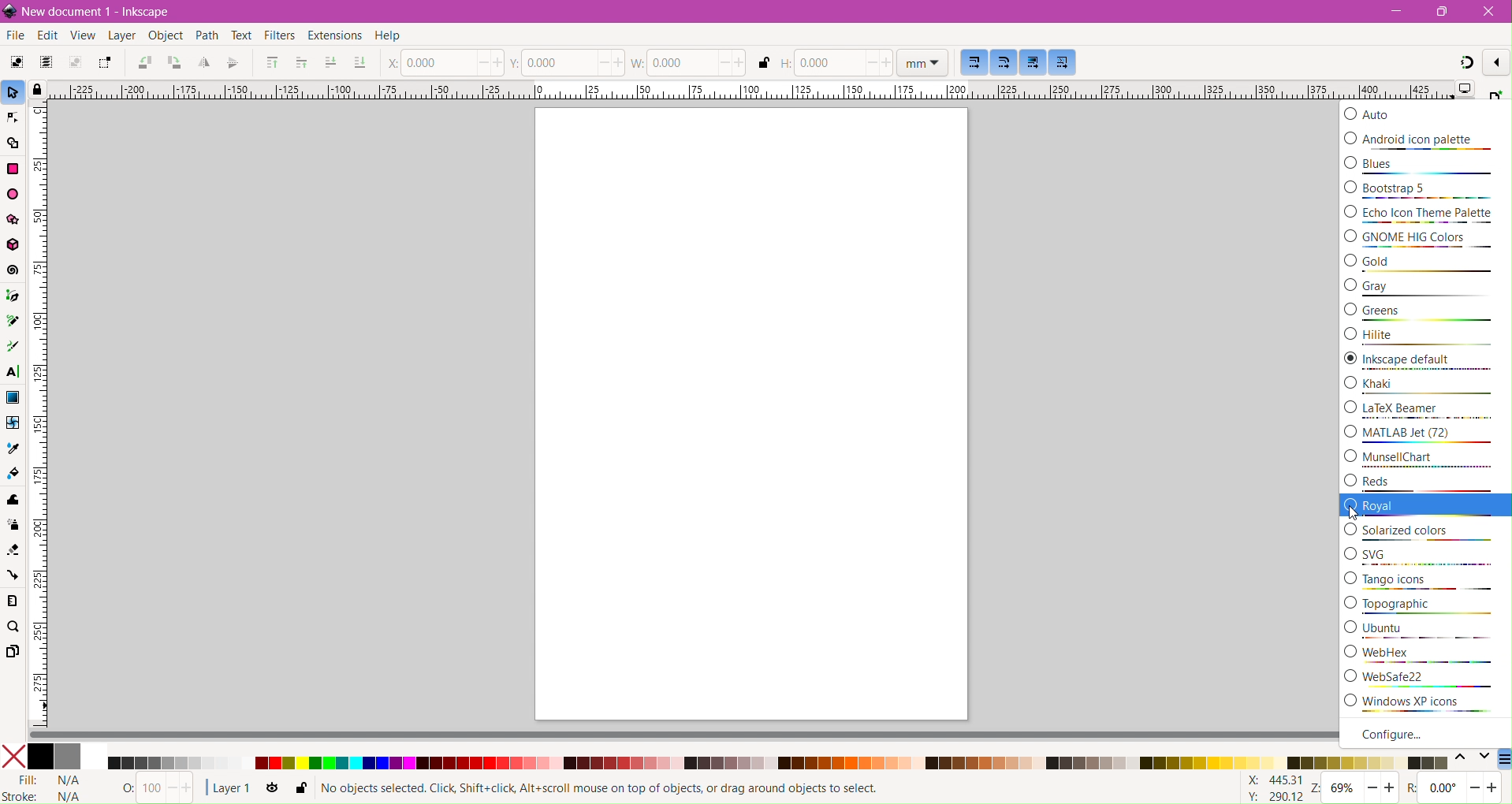  What do you see at coordinates (49, 795) in the screenshot?
I see `stroke` at bounding box center [49, 795].